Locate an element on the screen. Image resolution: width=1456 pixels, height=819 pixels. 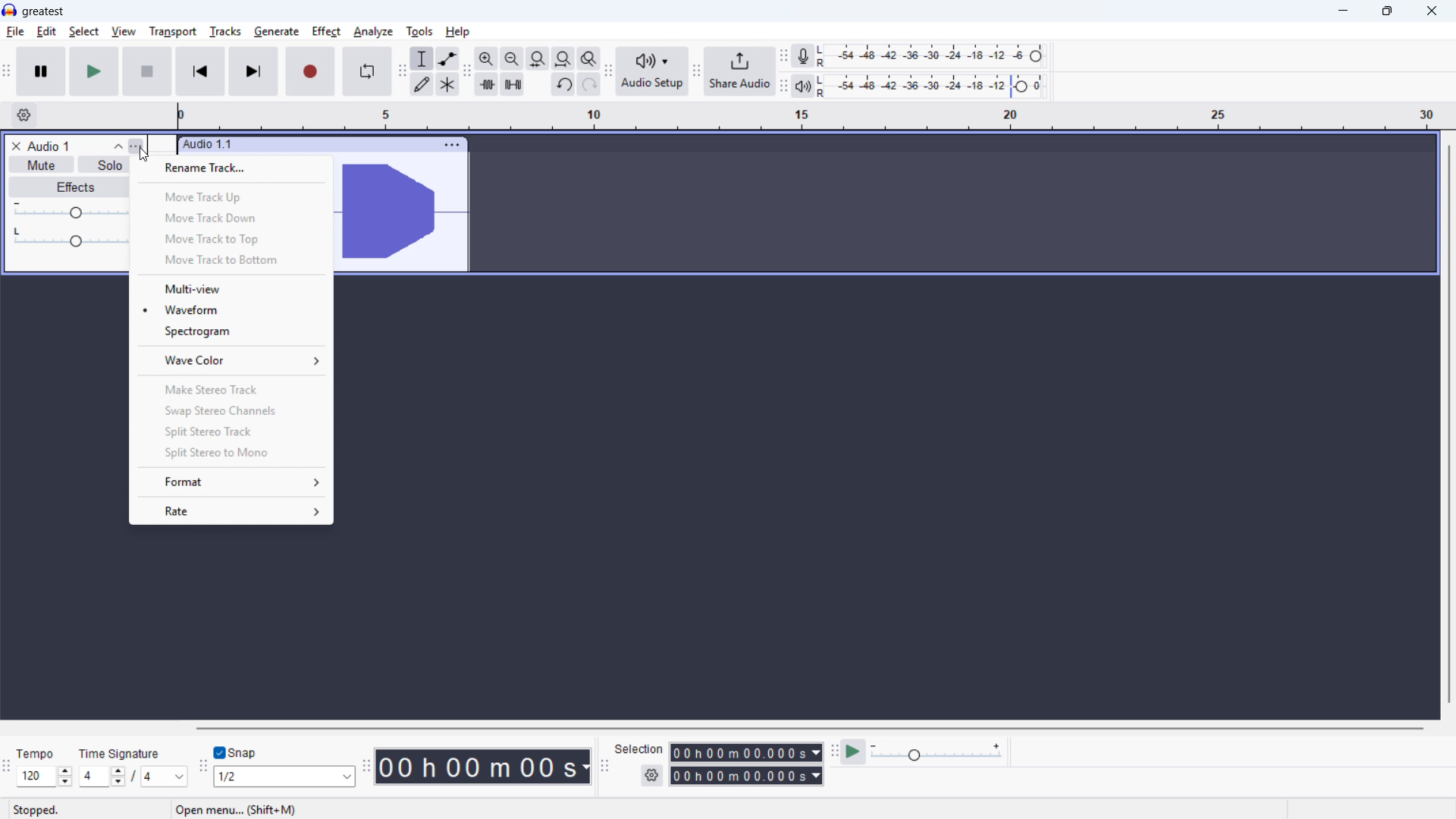
play is located at coordinates (94, 71).